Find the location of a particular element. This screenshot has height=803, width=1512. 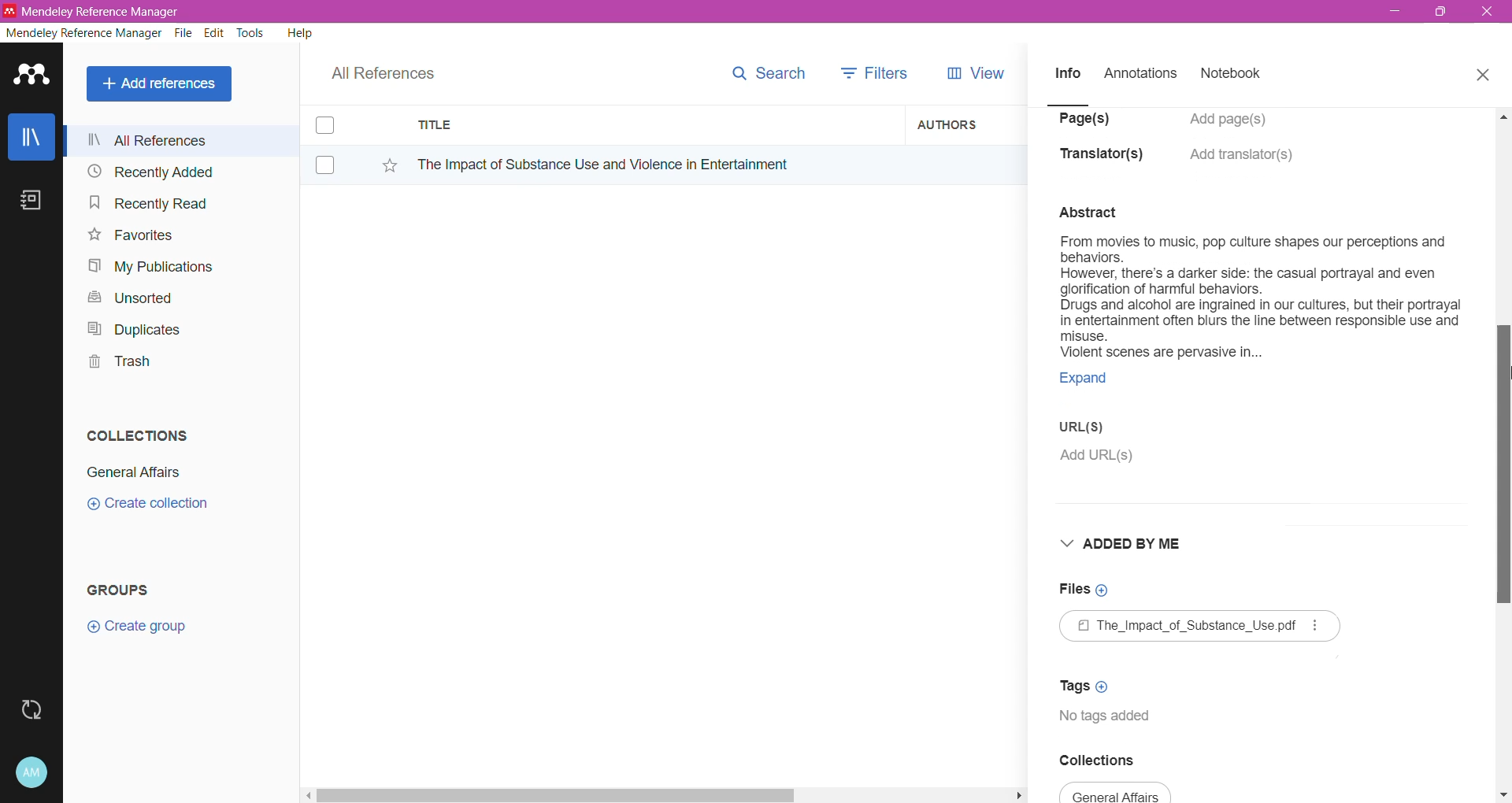

Unsorted is located at coordinates (128, 297).